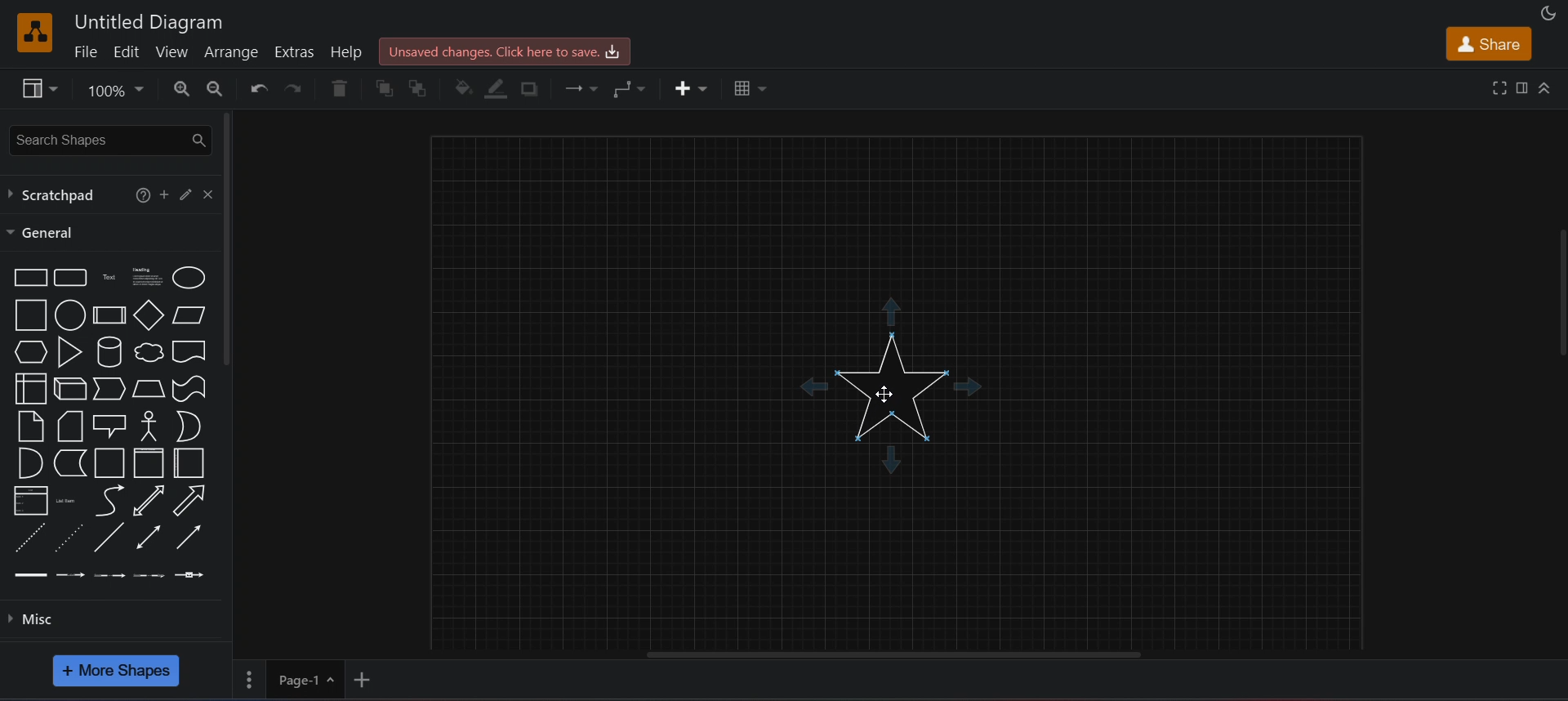  I want to click on triangle, so click(68, 351).